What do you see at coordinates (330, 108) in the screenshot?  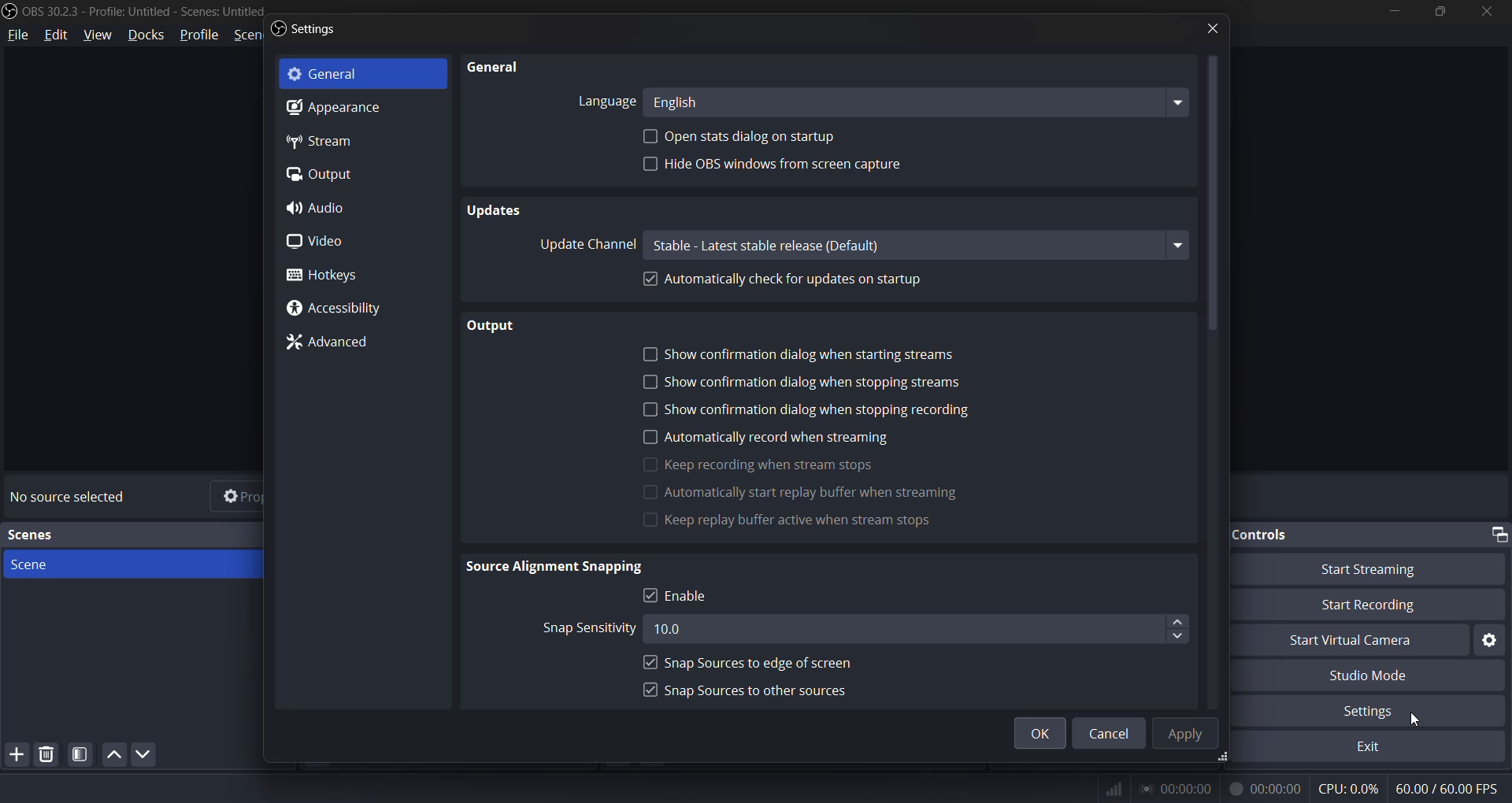 I see `appearance` at bounding box center [330, 108].